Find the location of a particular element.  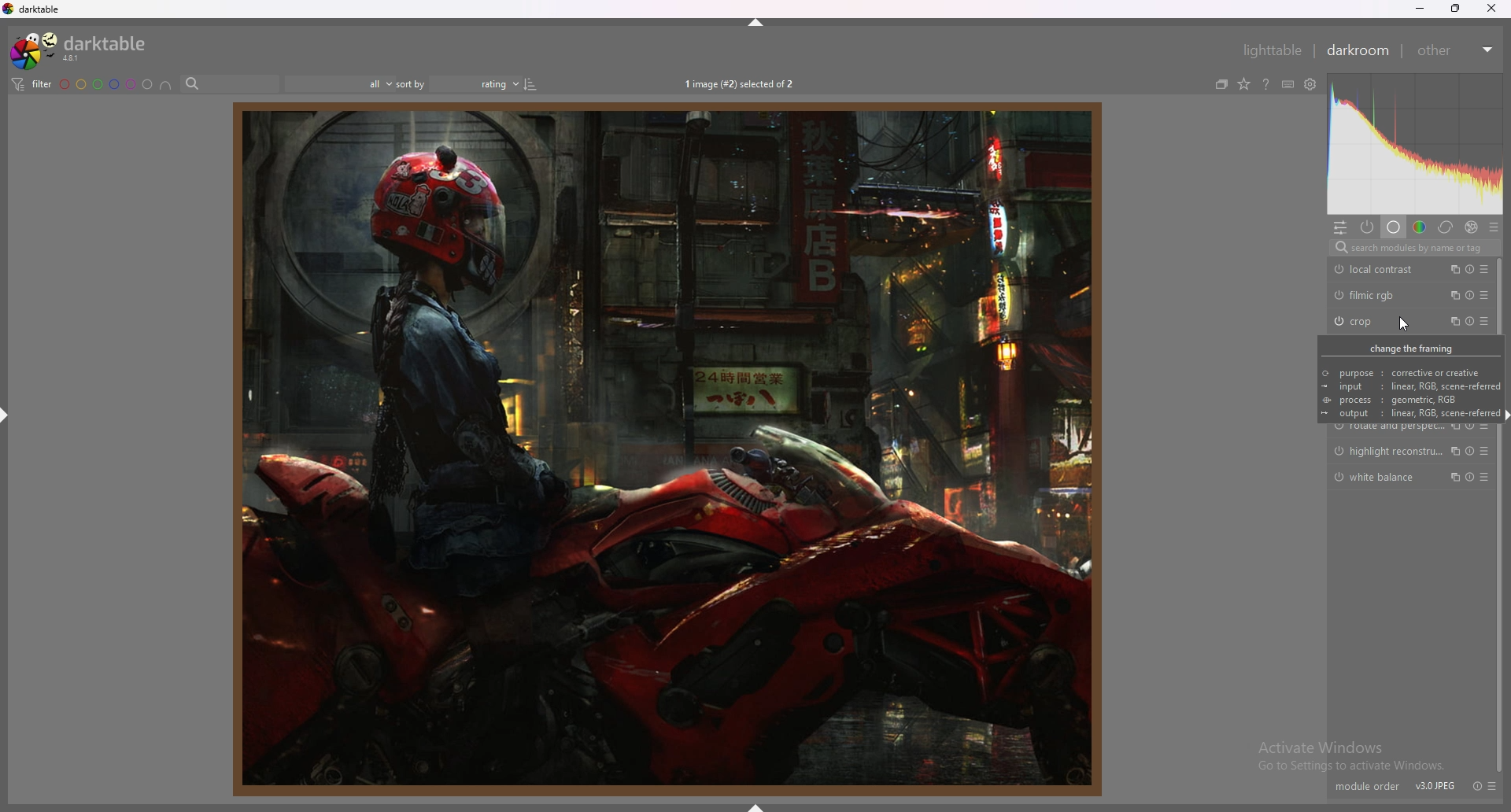

person sitting on bike in a factory is located at coordinates (659, 453).